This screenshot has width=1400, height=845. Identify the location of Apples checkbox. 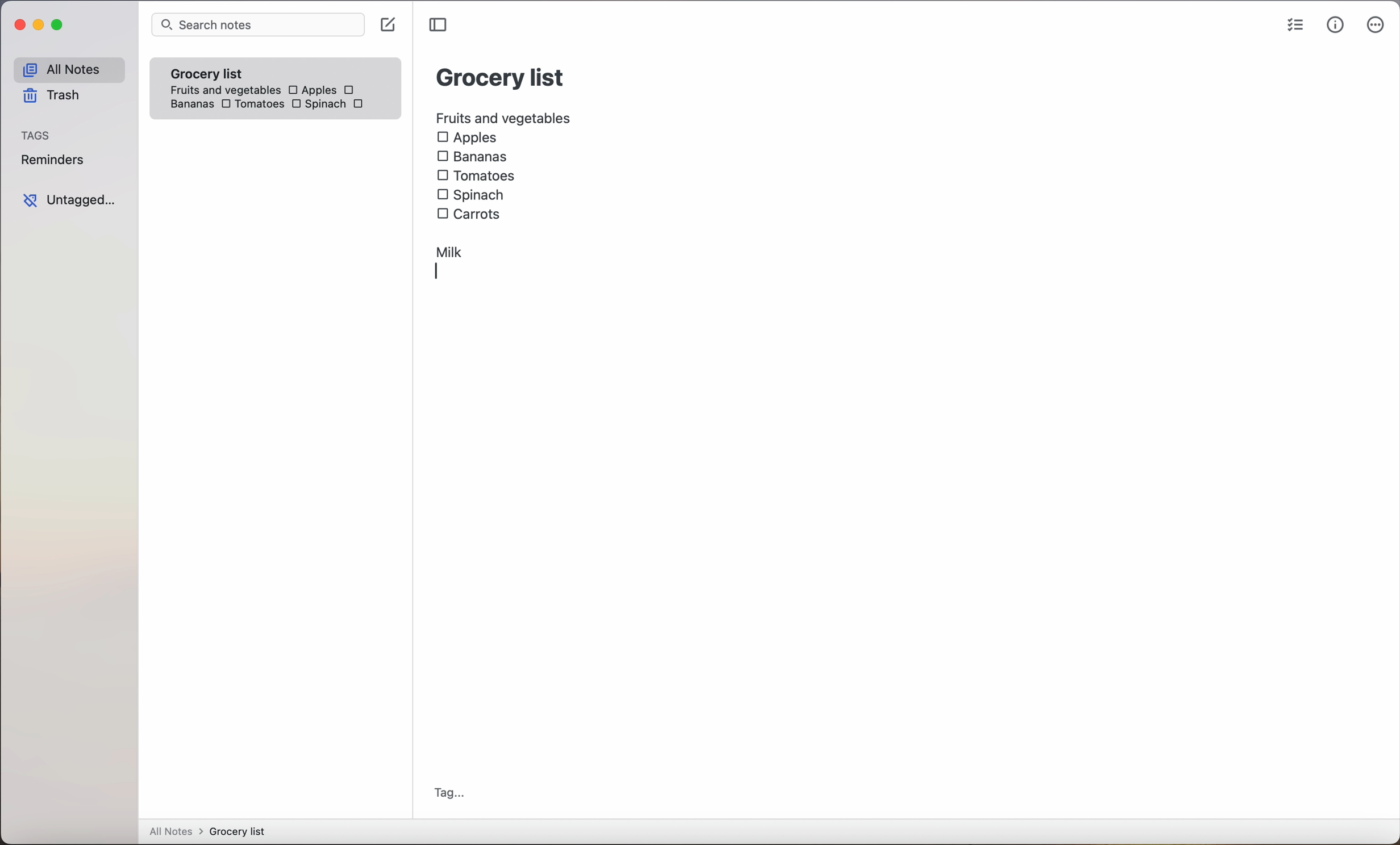
(467, 138).